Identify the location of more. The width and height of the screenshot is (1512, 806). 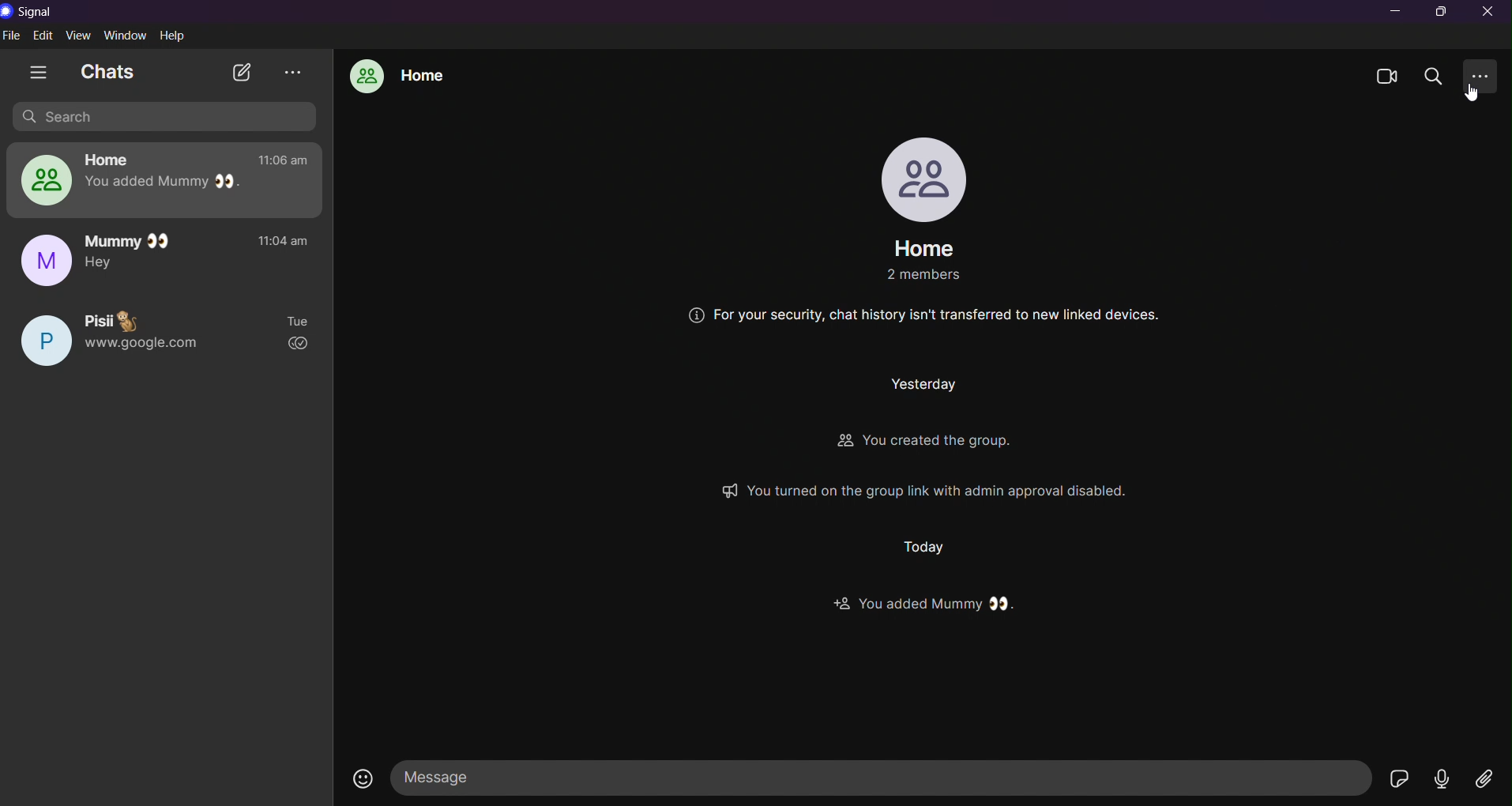
(1484, 77).